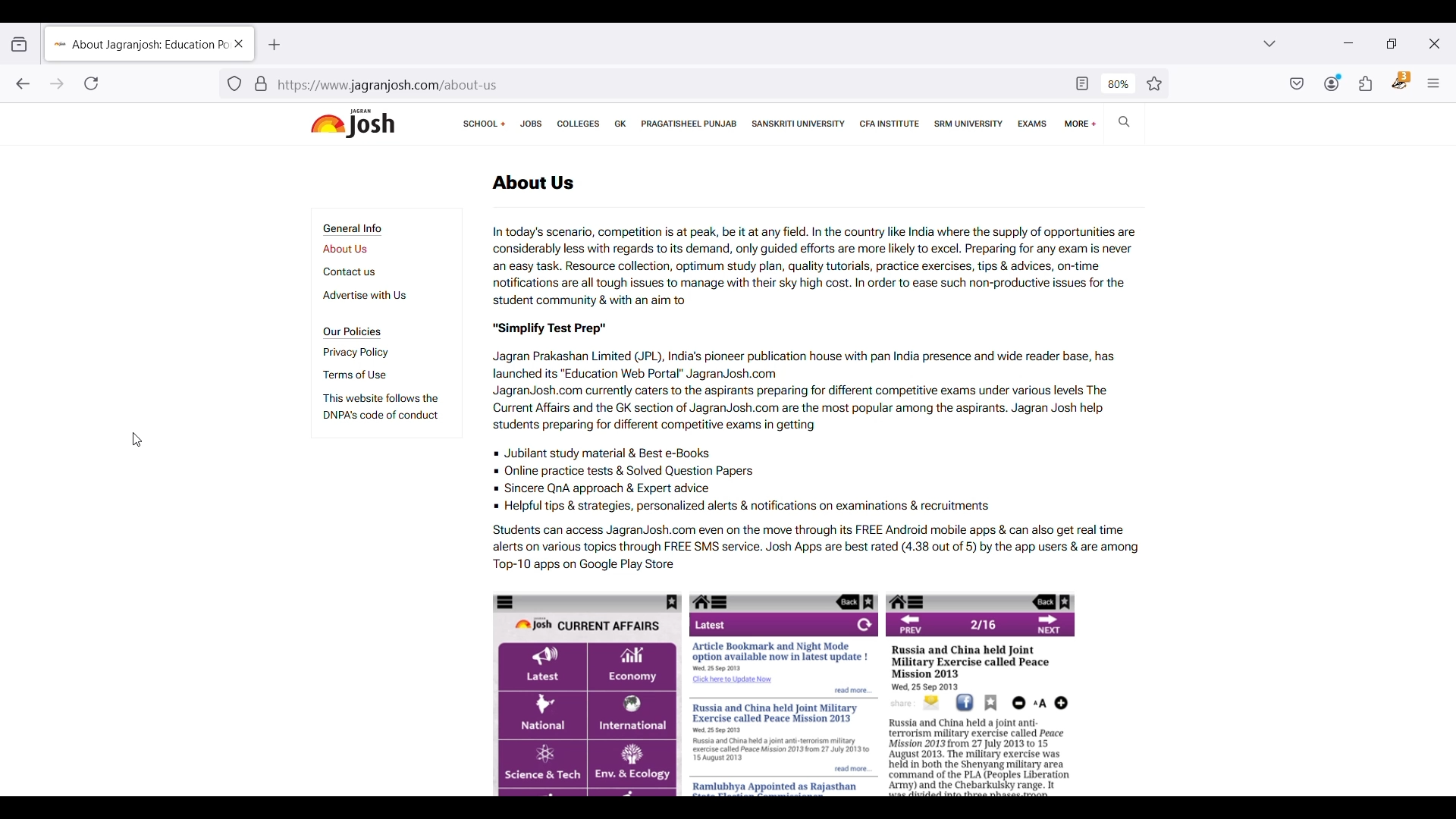 The height and width of the screenshot is (819, 1456). I want to click on Advertise with us page, so click(365, 295).